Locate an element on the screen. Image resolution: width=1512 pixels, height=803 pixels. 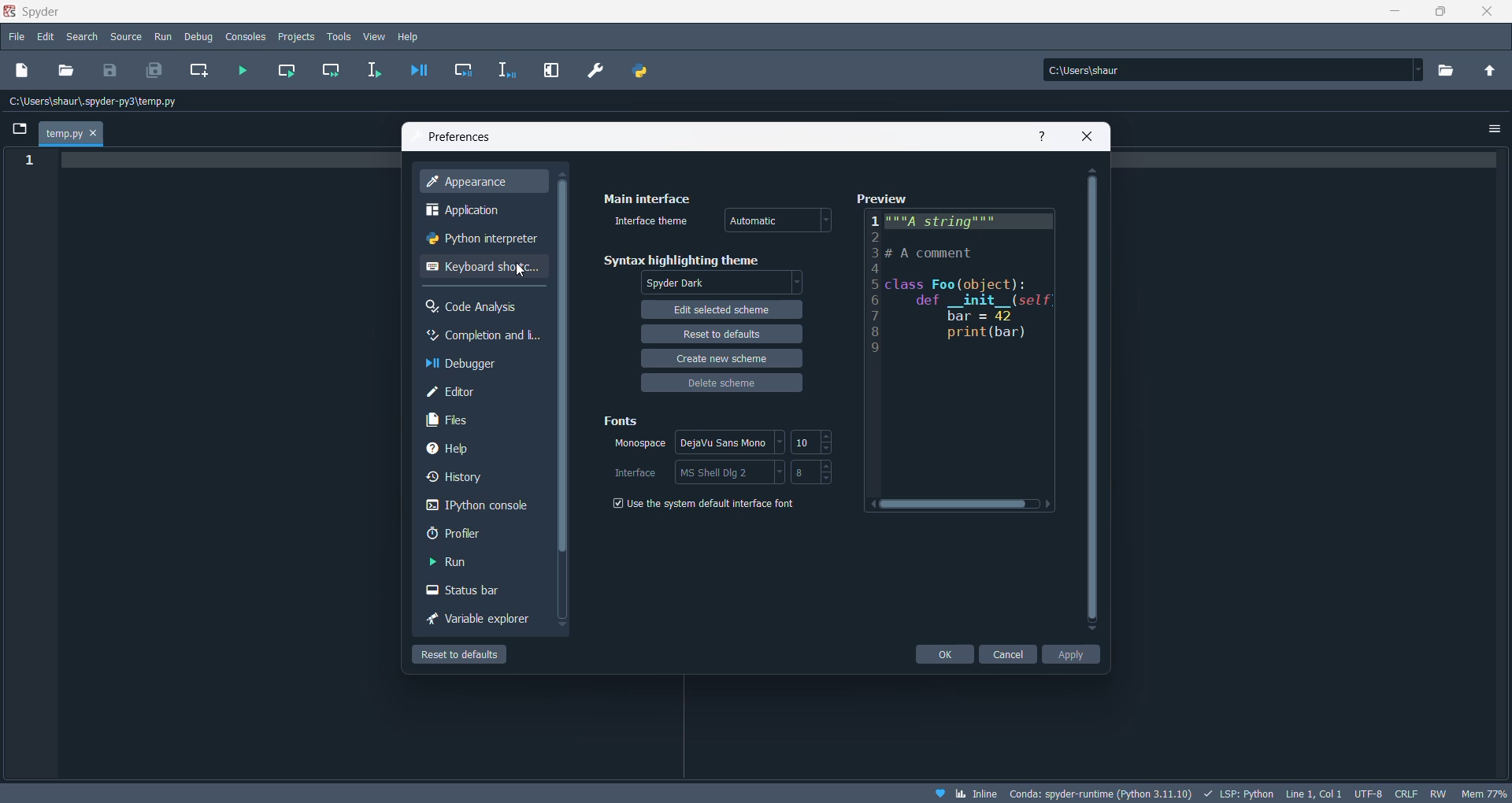
debug selection or current line is located at coordinates (508, 72).